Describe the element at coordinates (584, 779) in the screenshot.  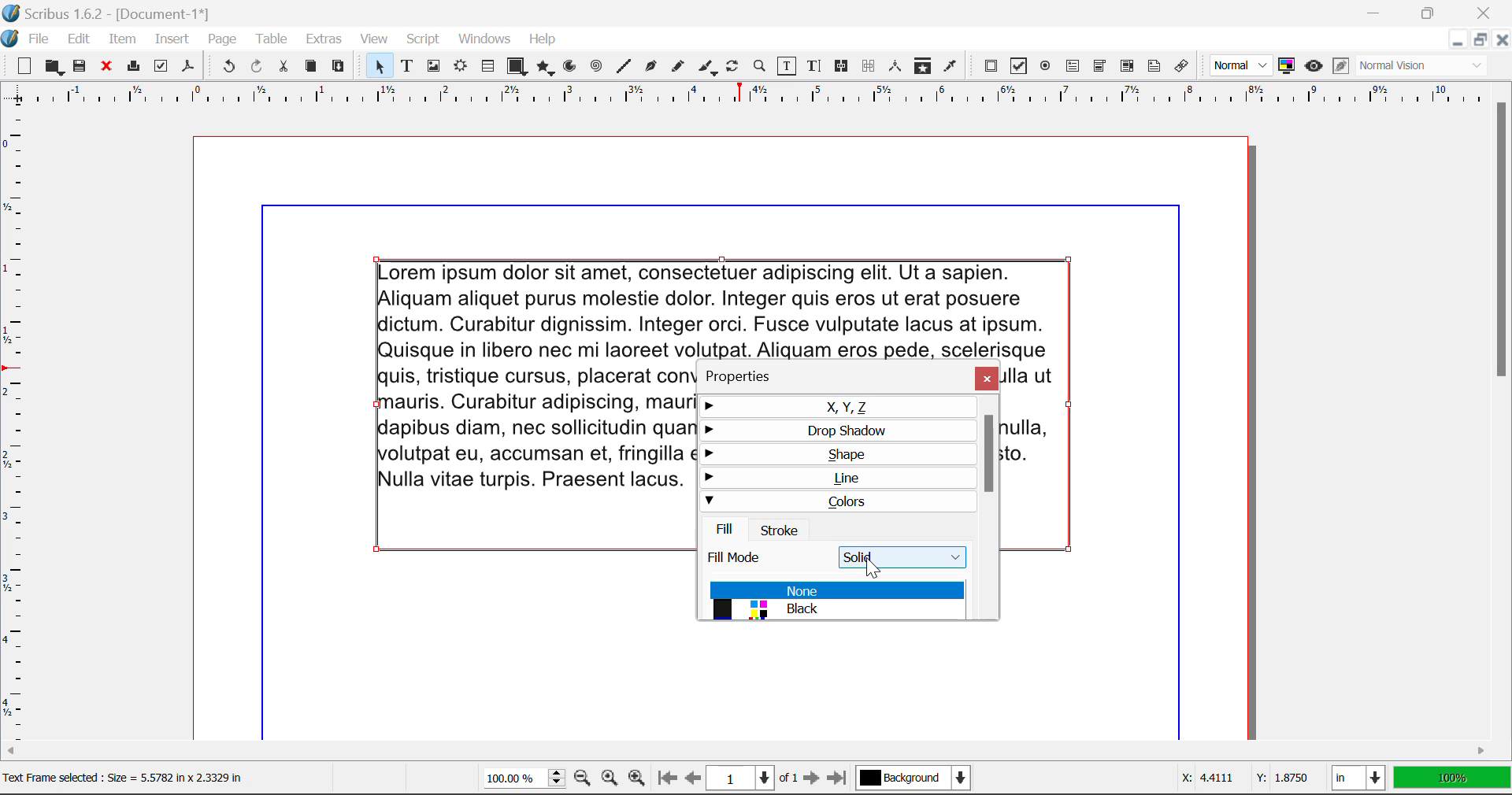
I see `Zoom Out` at that location.